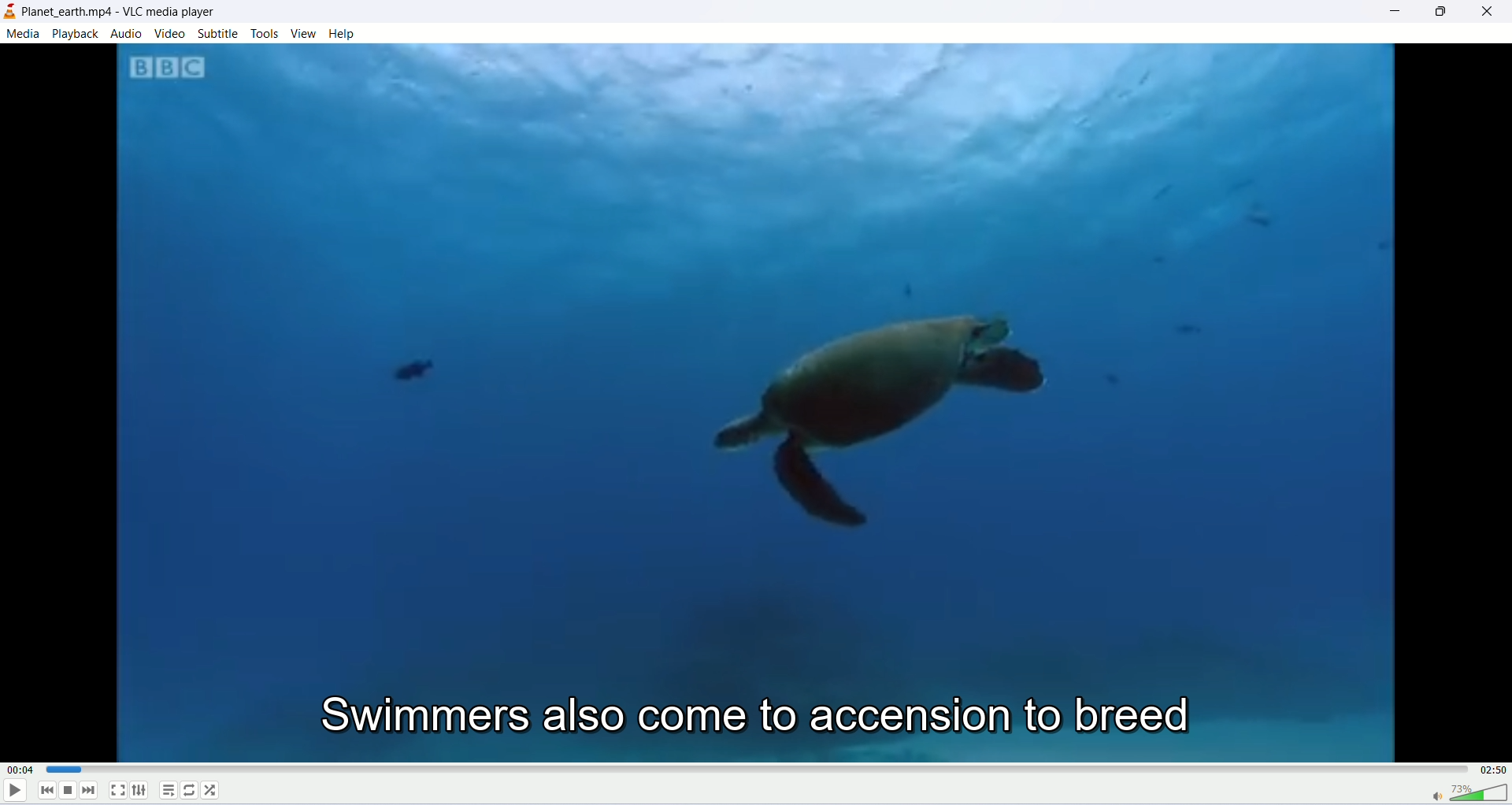  Describe the element at coordinates (219, 32) in the screenshot. I see `subtitle` at that location.